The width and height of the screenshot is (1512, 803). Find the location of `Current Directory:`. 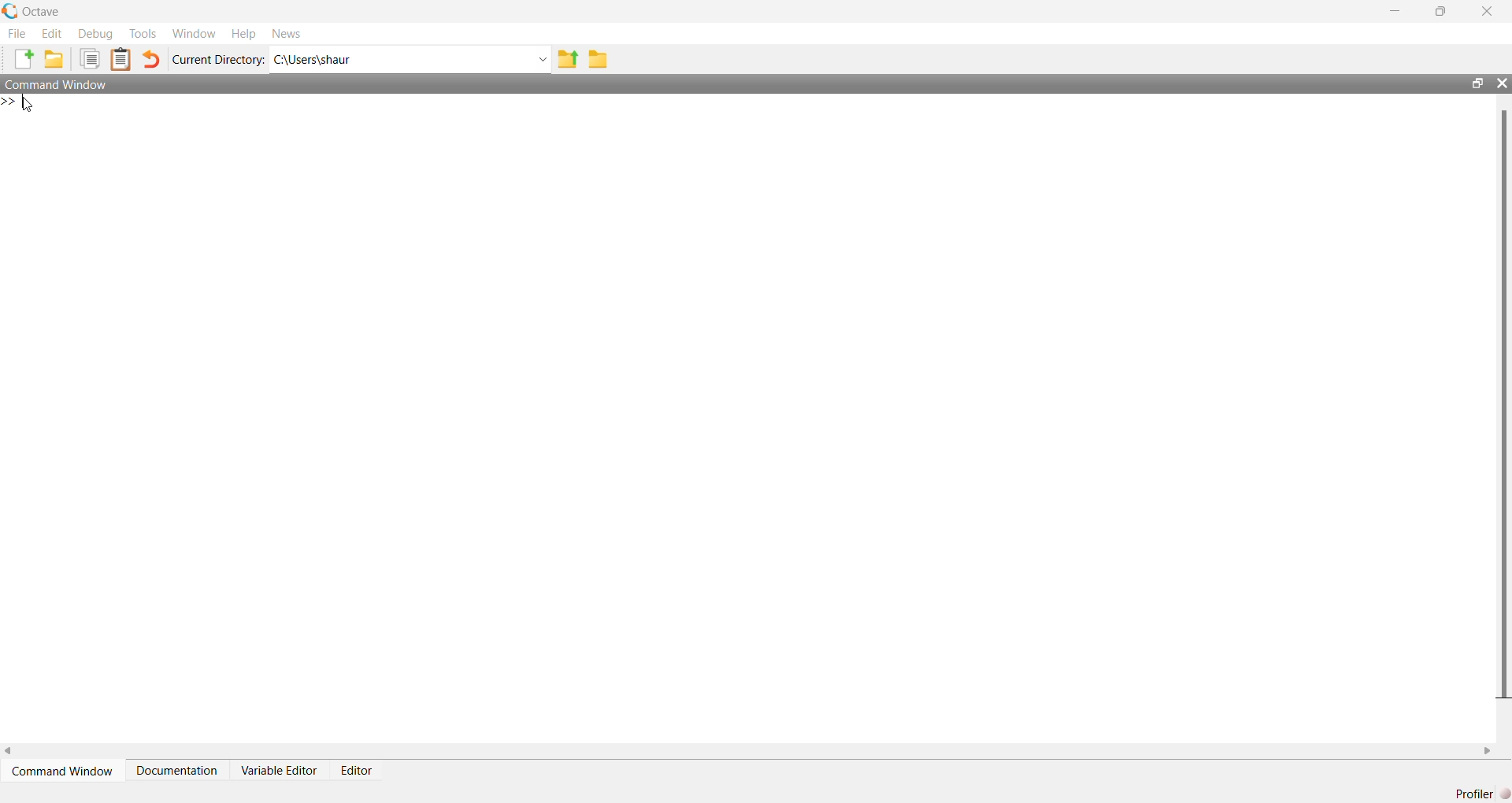

Current Directory: is located at coordinates (220, 60).